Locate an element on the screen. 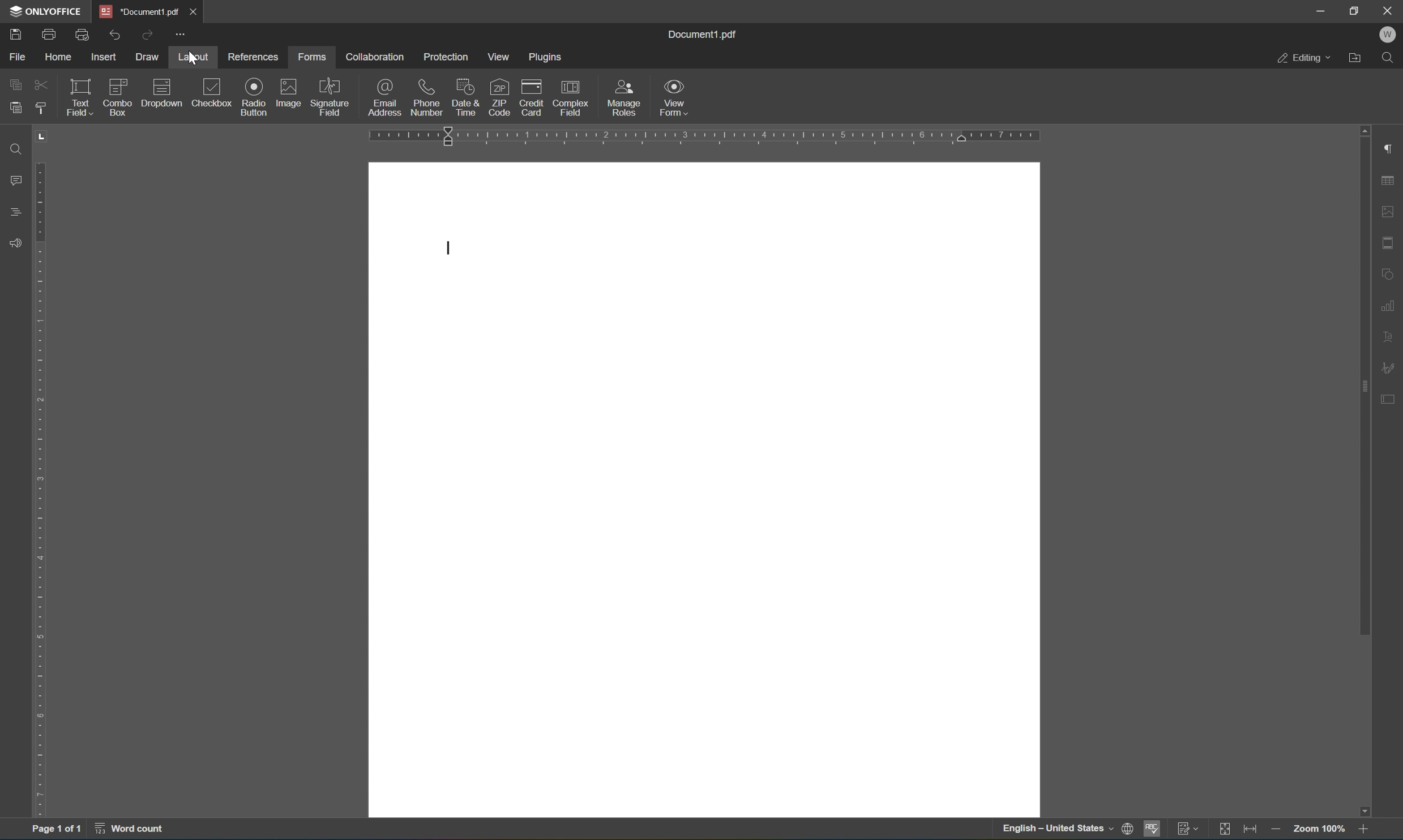  combo box is located at coordinates (117, 92).